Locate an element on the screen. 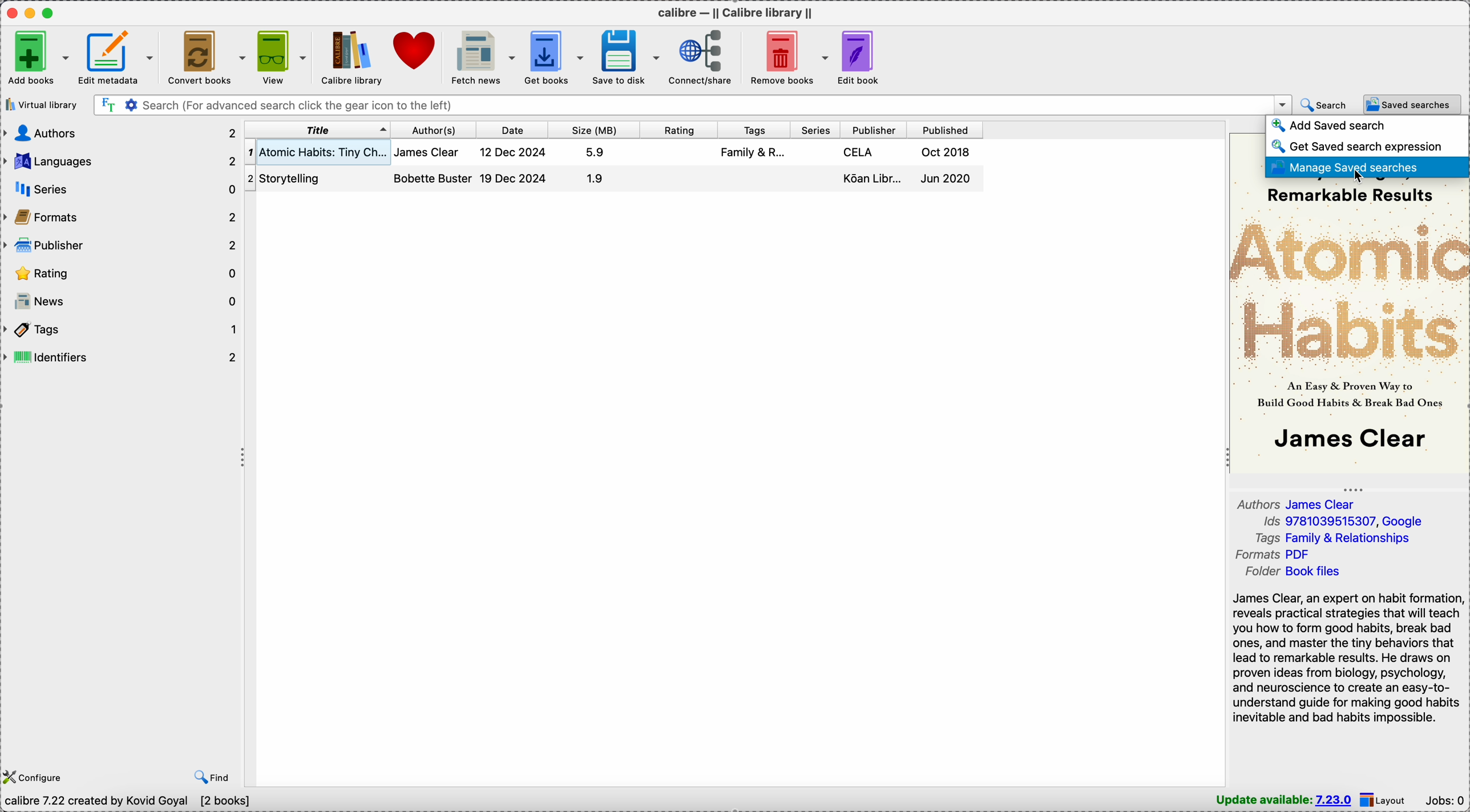  James Clear, an expert on habit formation,
reveals practical strategies that will teach
you how to form good habits, break bad
ones, and master the tiny behaviors that
lead to remarkable results. He draws on
proven ideas from biology, psychology,
and neuroscience to create an easy-to-
understand guide for making good habits
inevitable and bad habits impossible. is located at coordinates (1347, 657).